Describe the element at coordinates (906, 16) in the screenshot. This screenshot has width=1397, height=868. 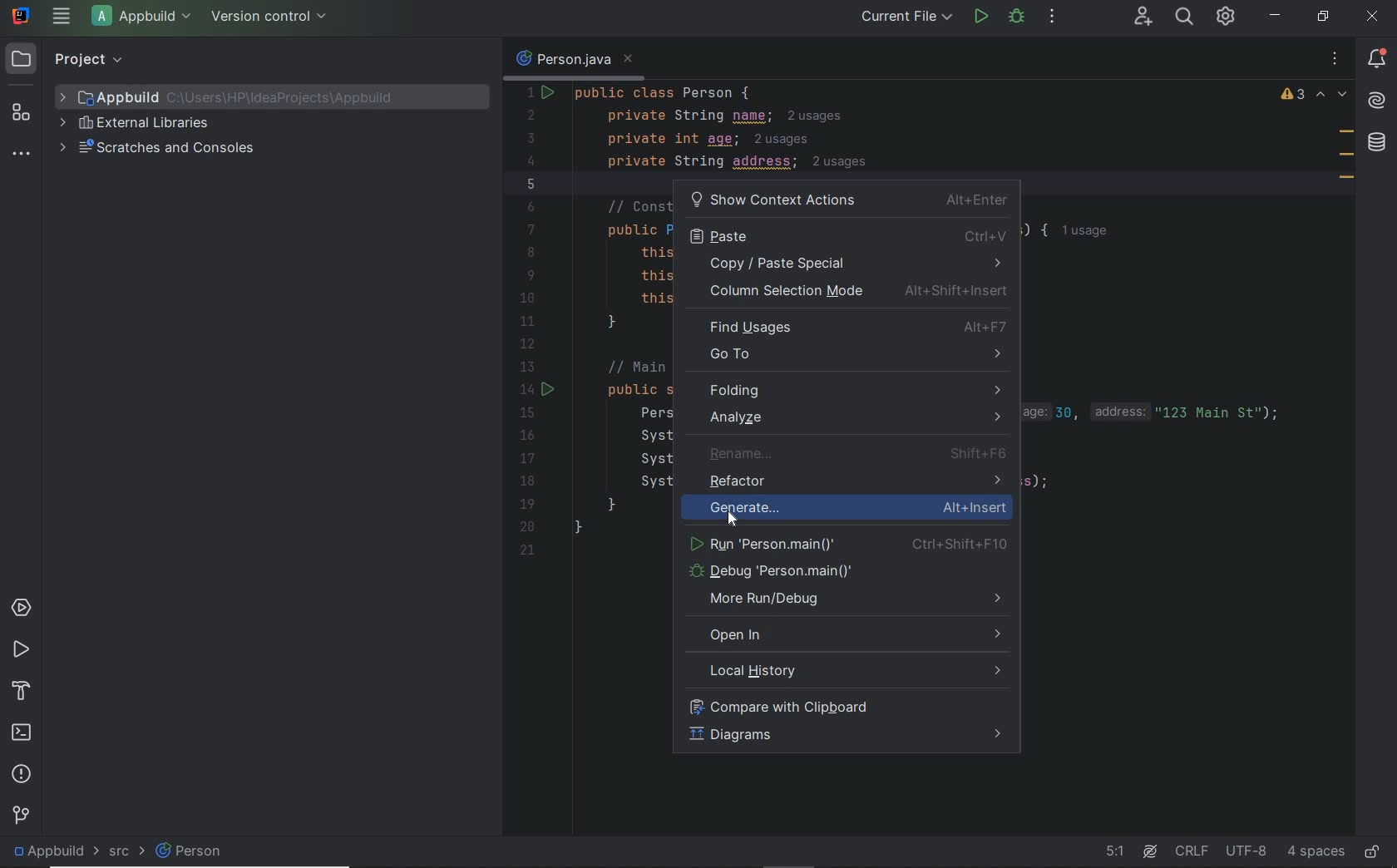
I see `run/debug configurations: current file` at that location.